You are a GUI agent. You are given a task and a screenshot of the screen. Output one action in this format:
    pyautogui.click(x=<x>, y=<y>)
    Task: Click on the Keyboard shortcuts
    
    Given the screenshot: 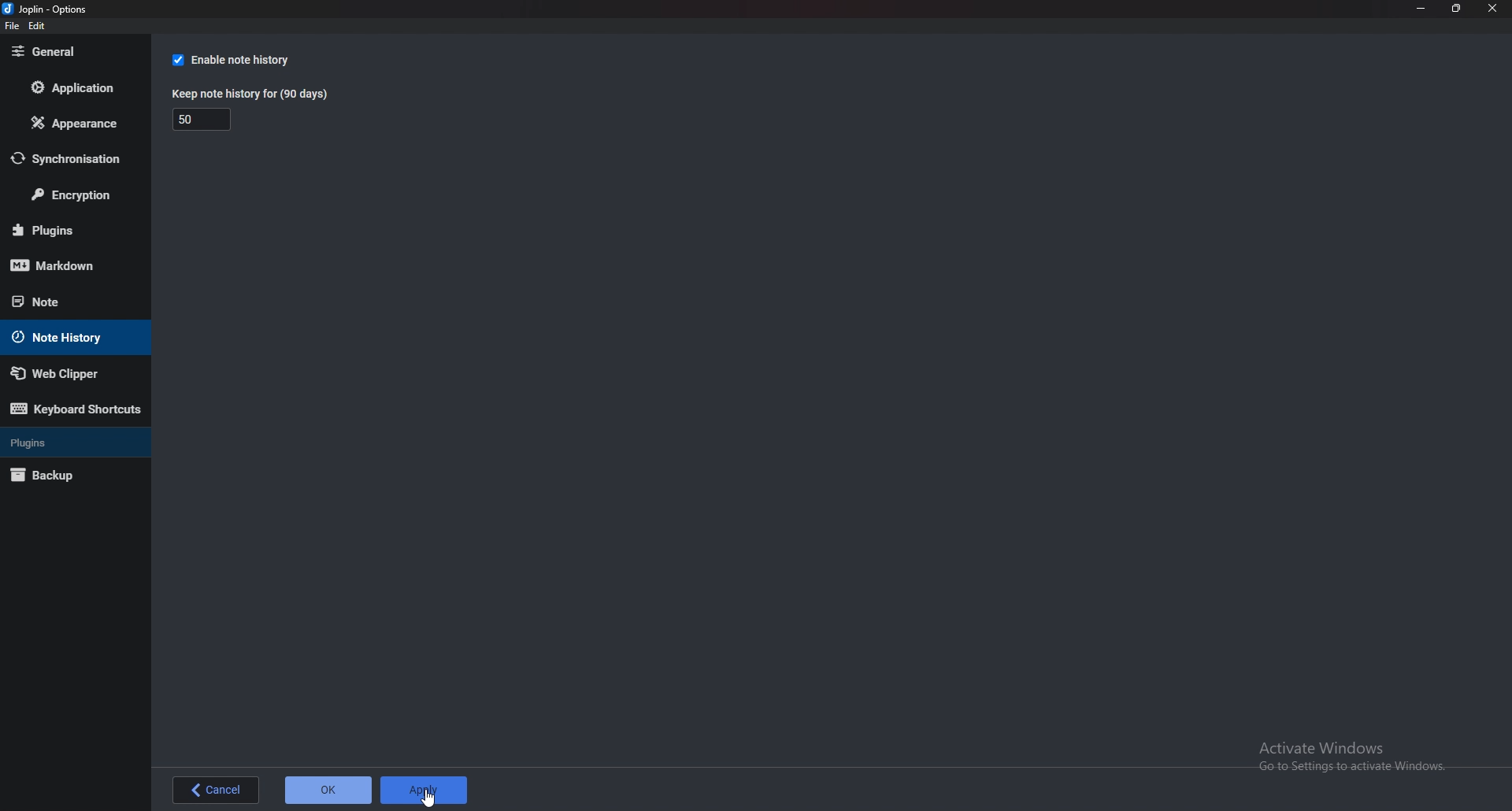 What is the action you would take?
    pyautogui.click(x=76, y=408)
    